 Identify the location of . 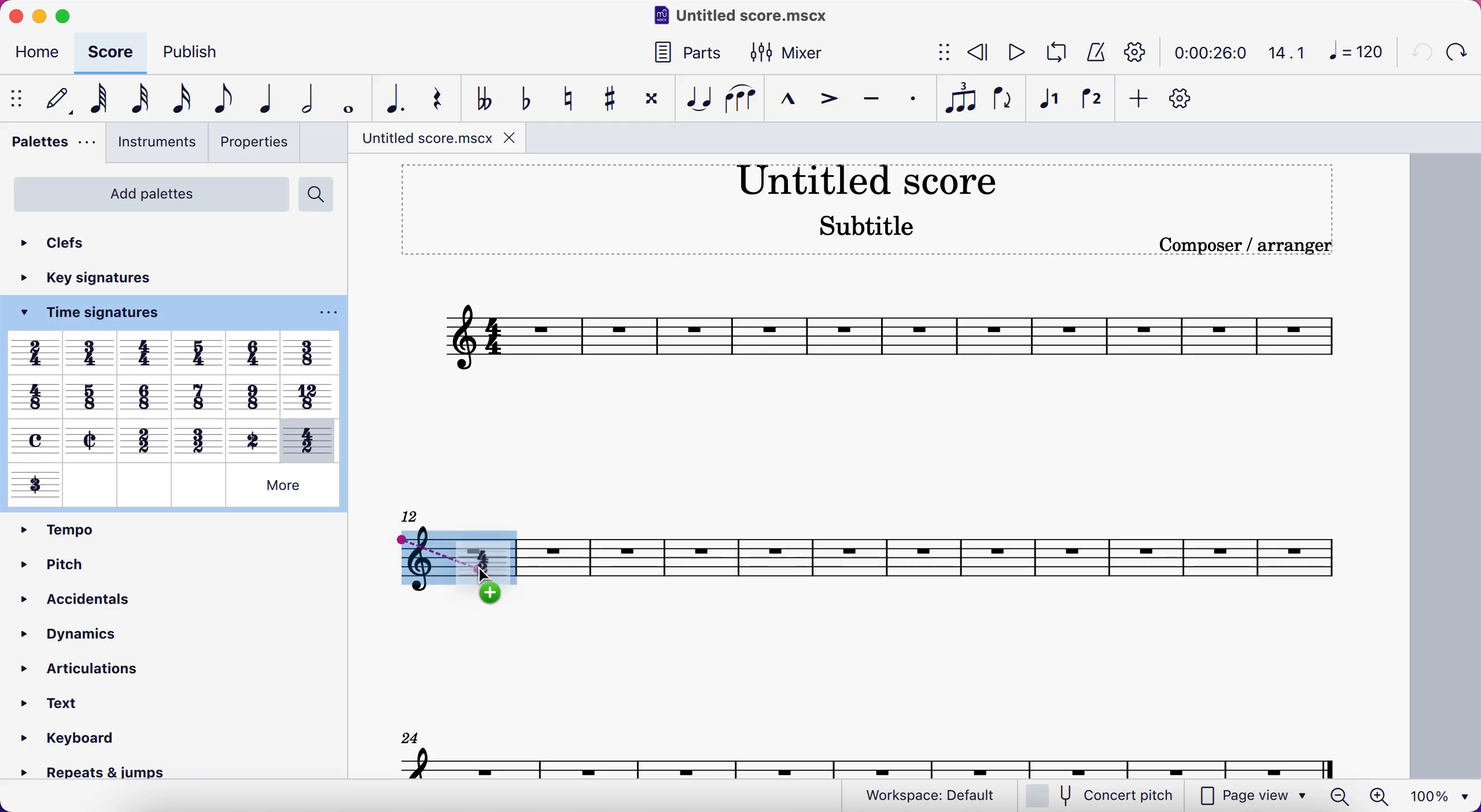
(252, 393).